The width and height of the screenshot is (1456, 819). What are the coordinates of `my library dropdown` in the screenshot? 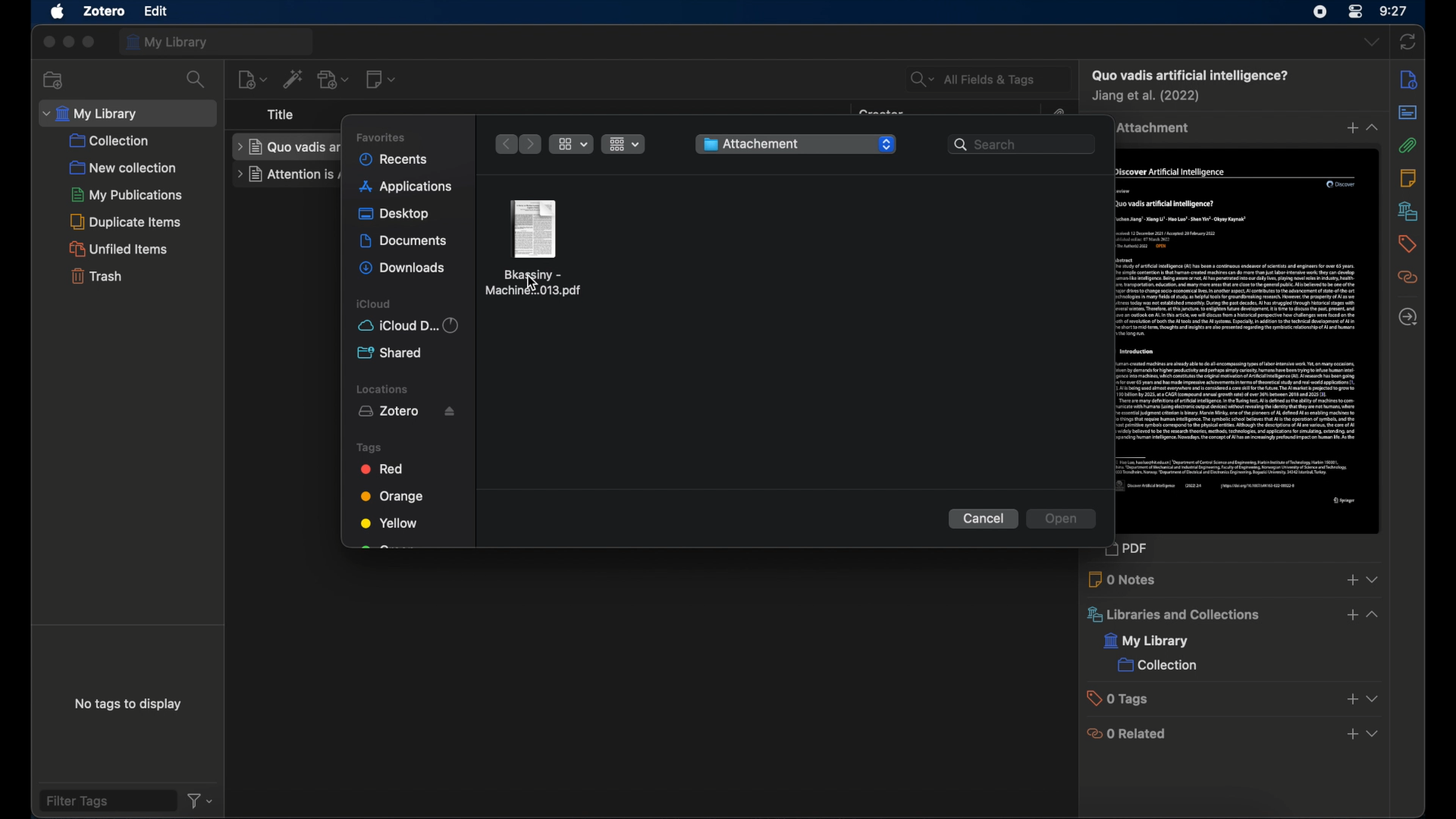 It's located at (128, 113).